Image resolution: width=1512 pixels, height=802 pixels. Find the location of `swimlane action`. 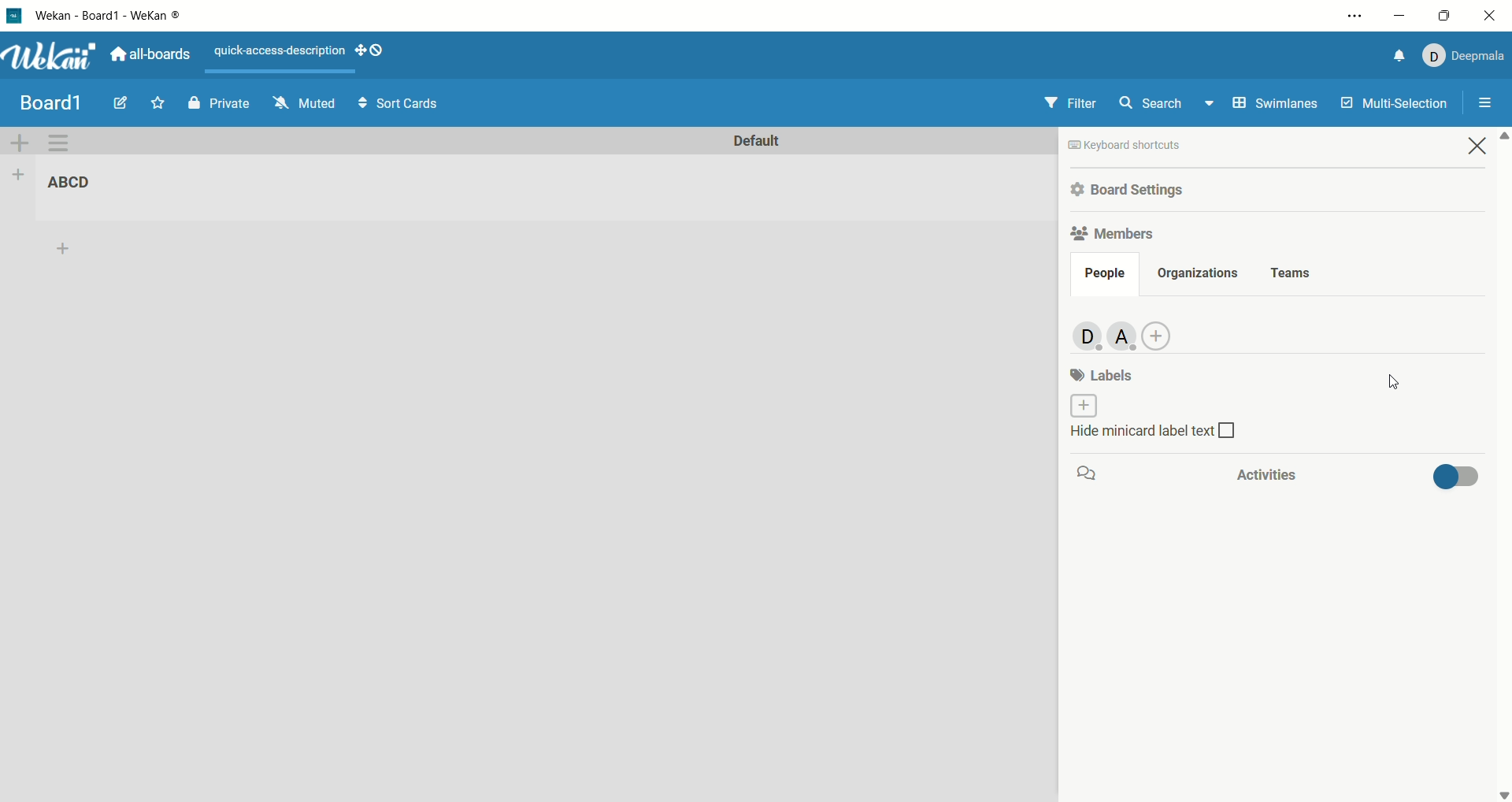

swimlane action is located at coordinates (65, 144).